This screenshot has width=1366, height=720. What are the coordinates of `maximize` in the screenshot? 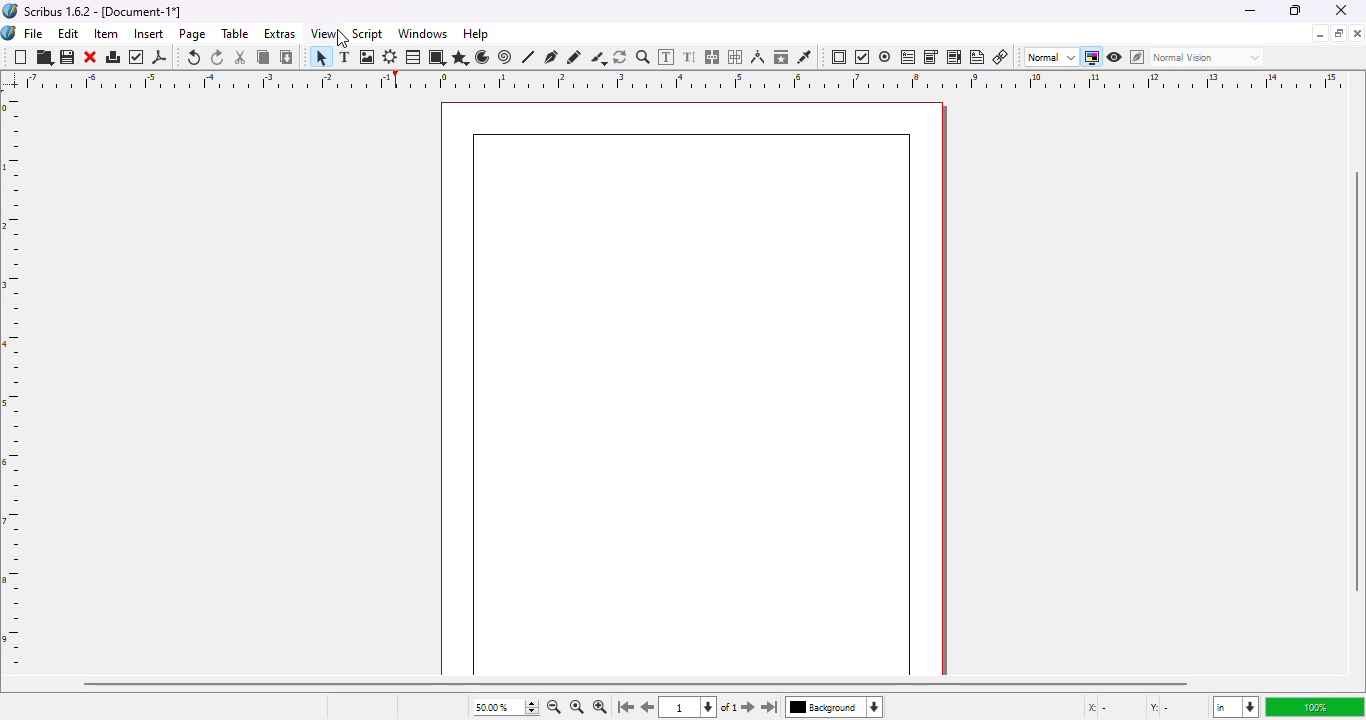 It's located at (1339, 33).